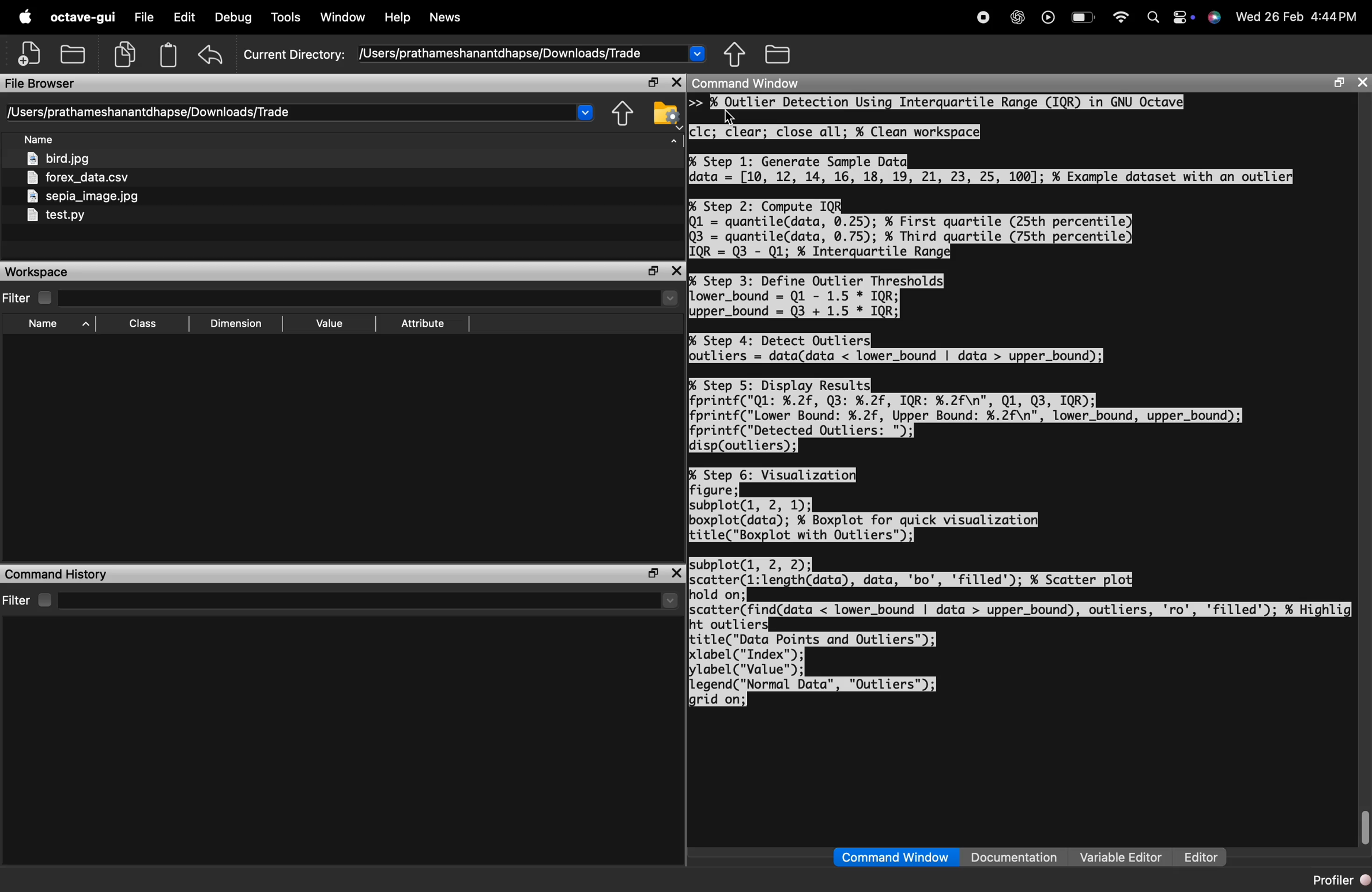 This screenshot has width=1372, height=892. I want to click on File Browser
Bi ini. 6, so click(40, 84).